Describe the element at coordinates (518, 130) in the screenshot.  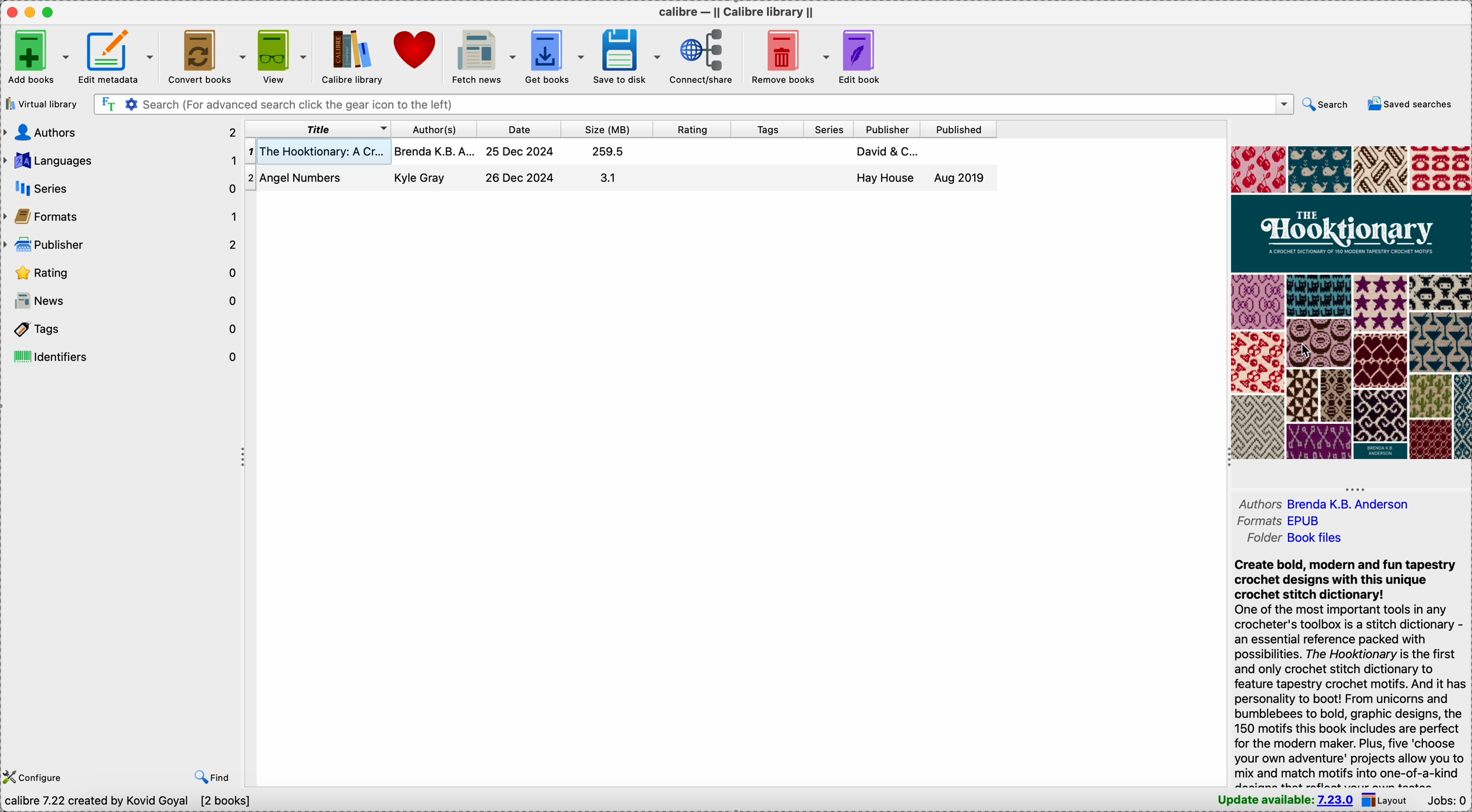
I see `date` at that location.